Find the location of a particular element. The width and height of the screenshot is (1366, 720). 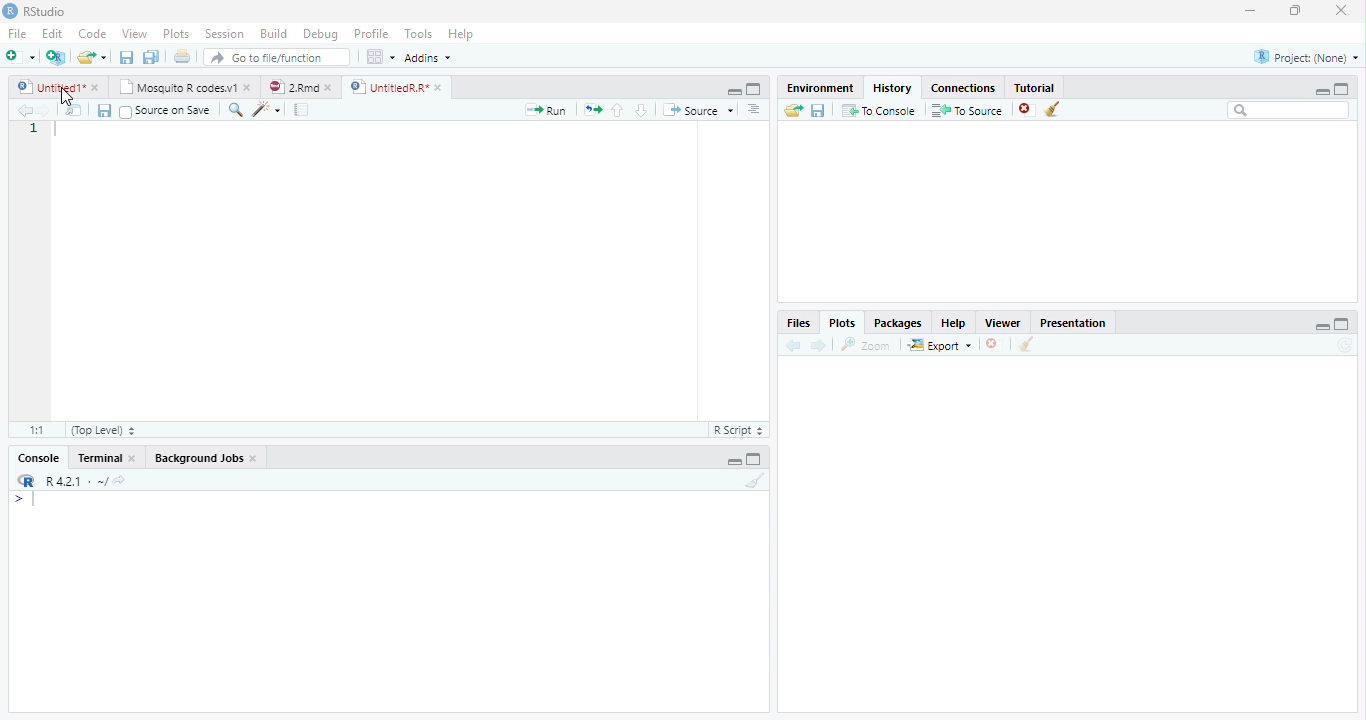

Zoom is located at coordinates (237, 112).